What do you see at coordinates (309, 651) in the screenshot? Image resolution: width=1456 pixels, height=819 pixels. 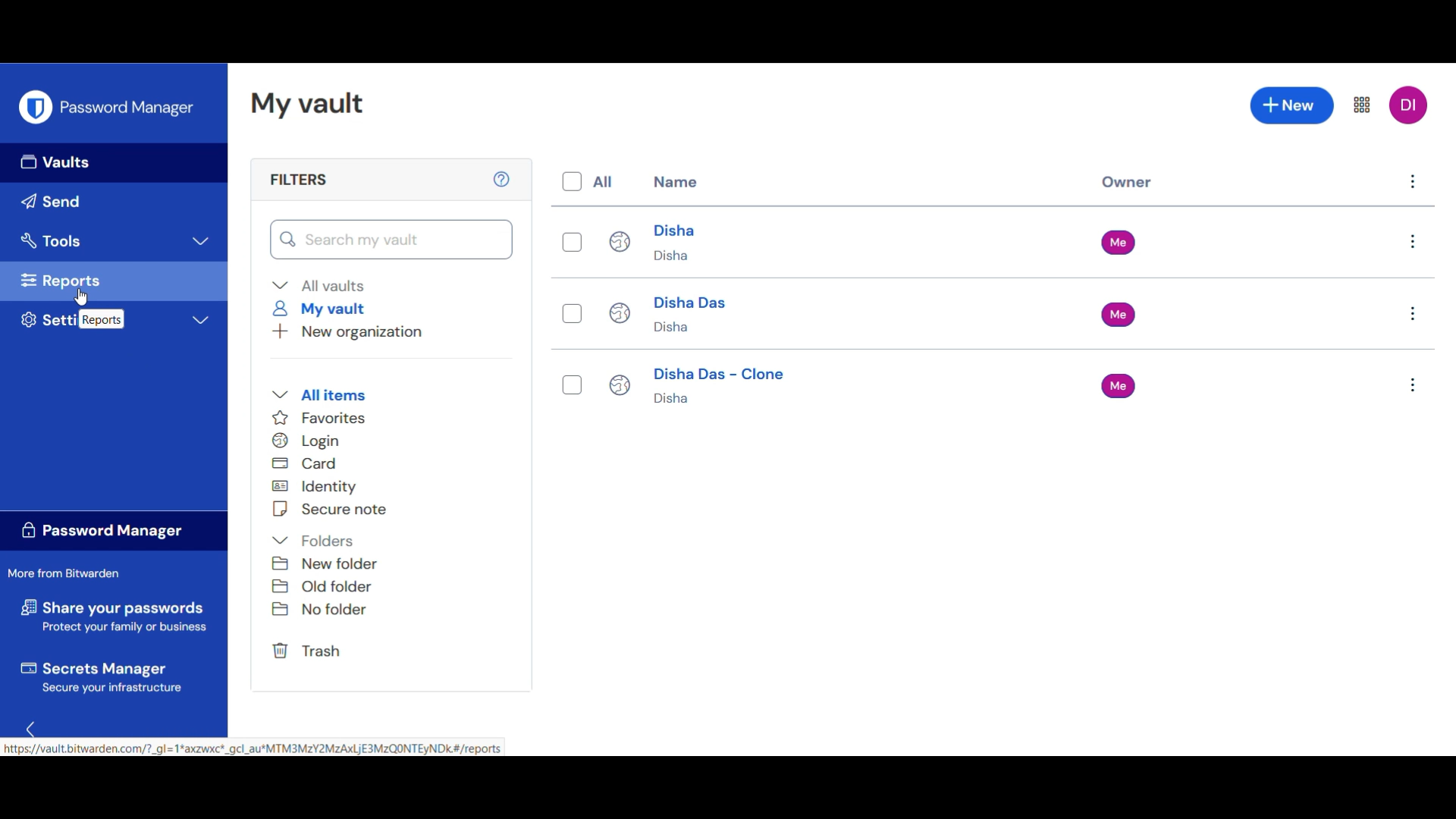 I see `Trash` at bounding box center [309, 651].